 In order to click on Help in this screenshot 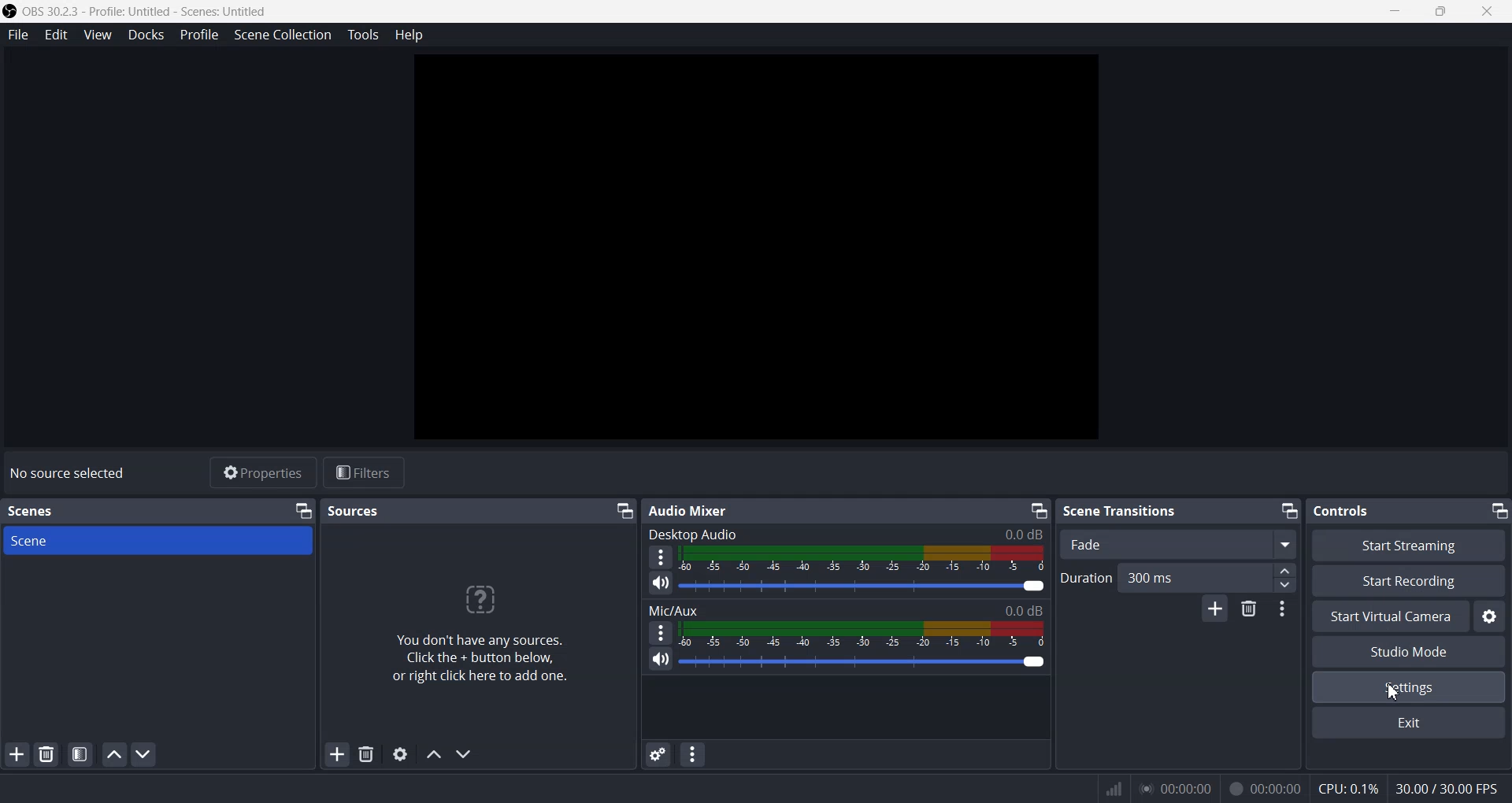, I will do `click(409, 38)`.